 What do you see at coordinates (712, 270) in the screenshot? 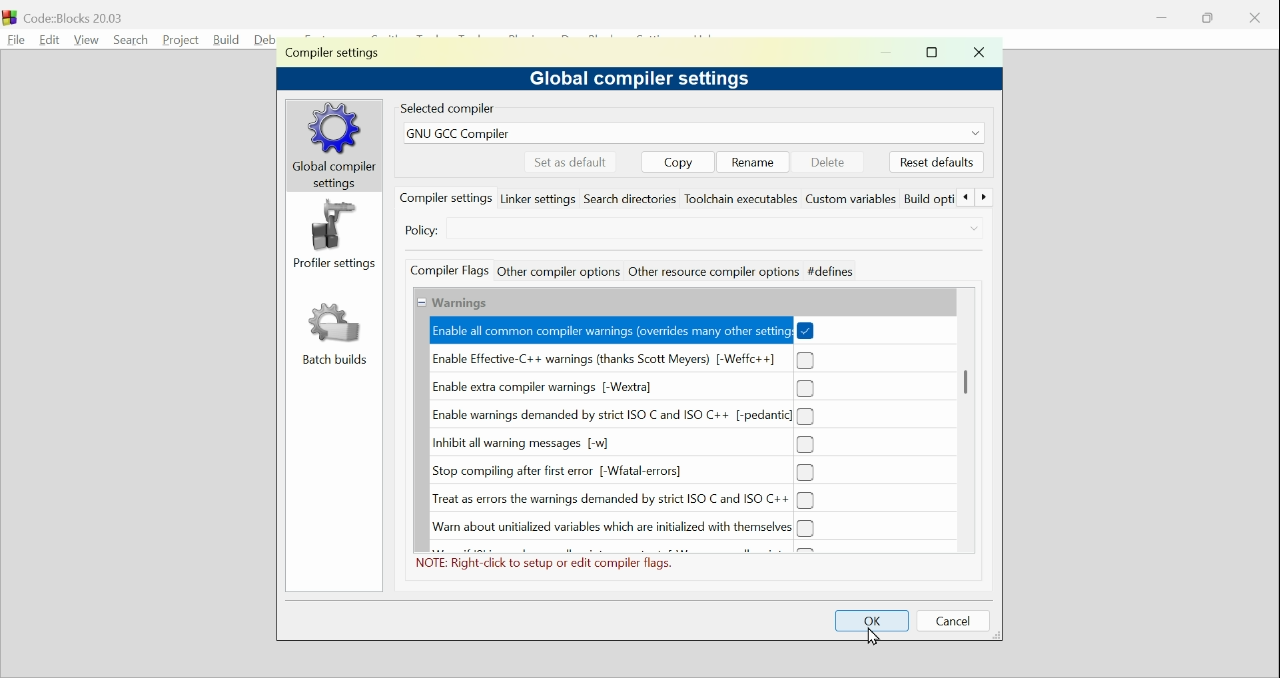
I see `Other resource compiler options` at bounding box center [712, 270].